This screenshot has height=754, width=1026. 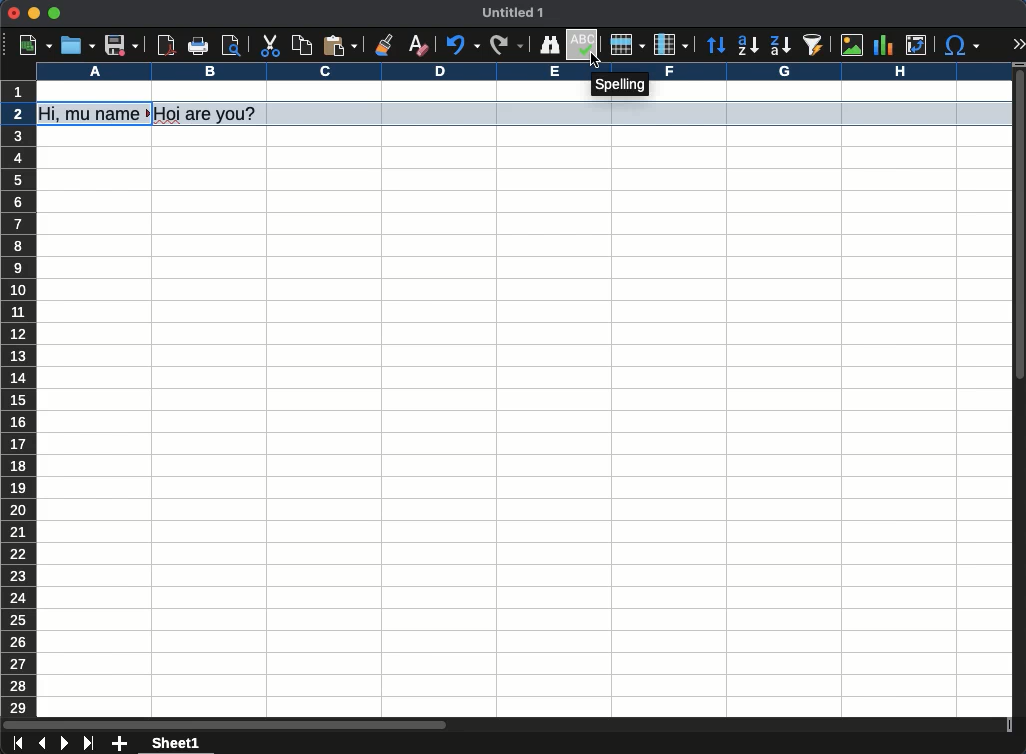 I want to click on sheet 1, so click(x=177, y=744).